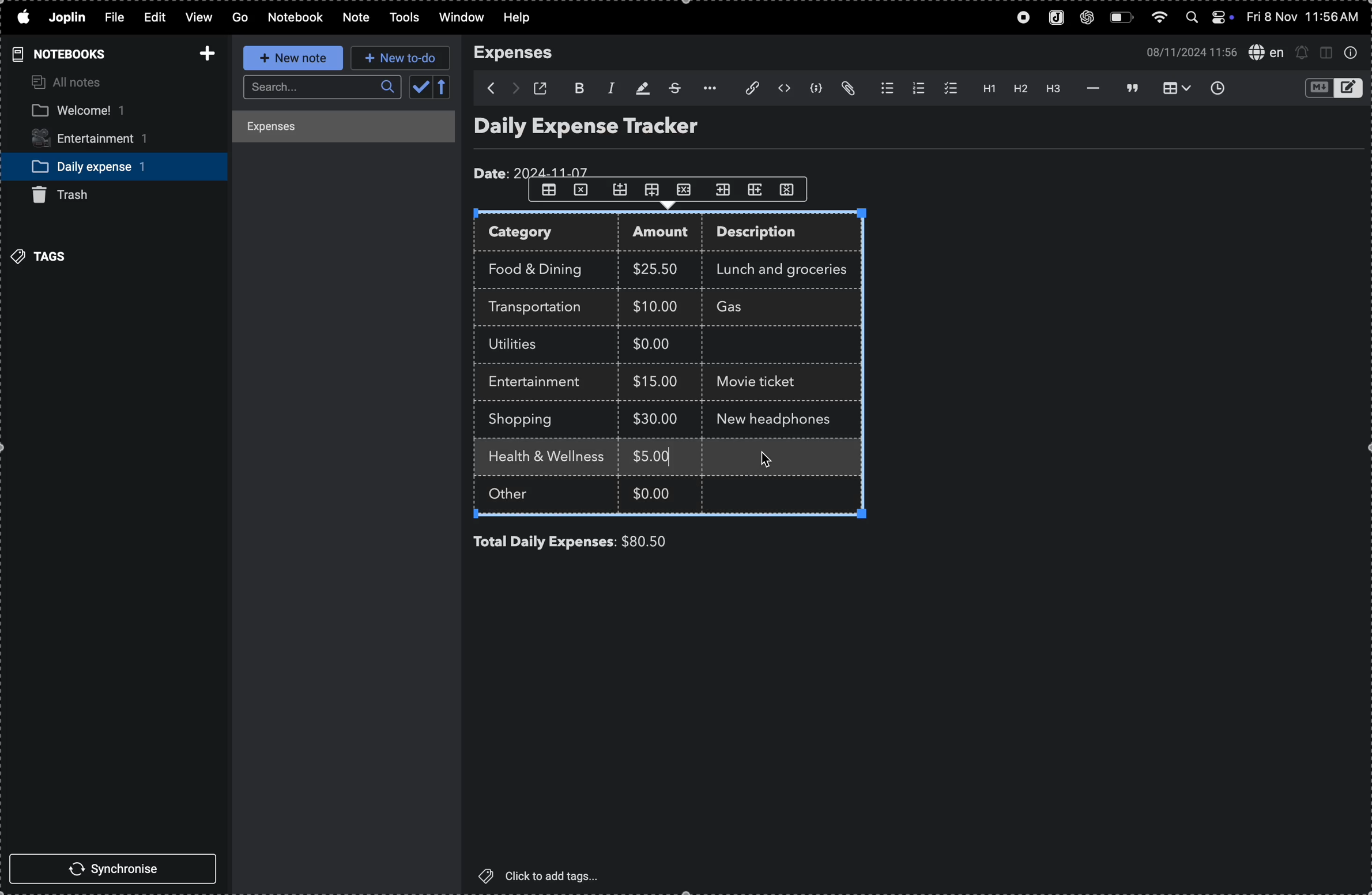 The width and height of the screenshot is (1372, 895). What do you see at coordinates (789, 268) in the screenshot?
I see `lunch and groceries` at bounding box center [789, 268].